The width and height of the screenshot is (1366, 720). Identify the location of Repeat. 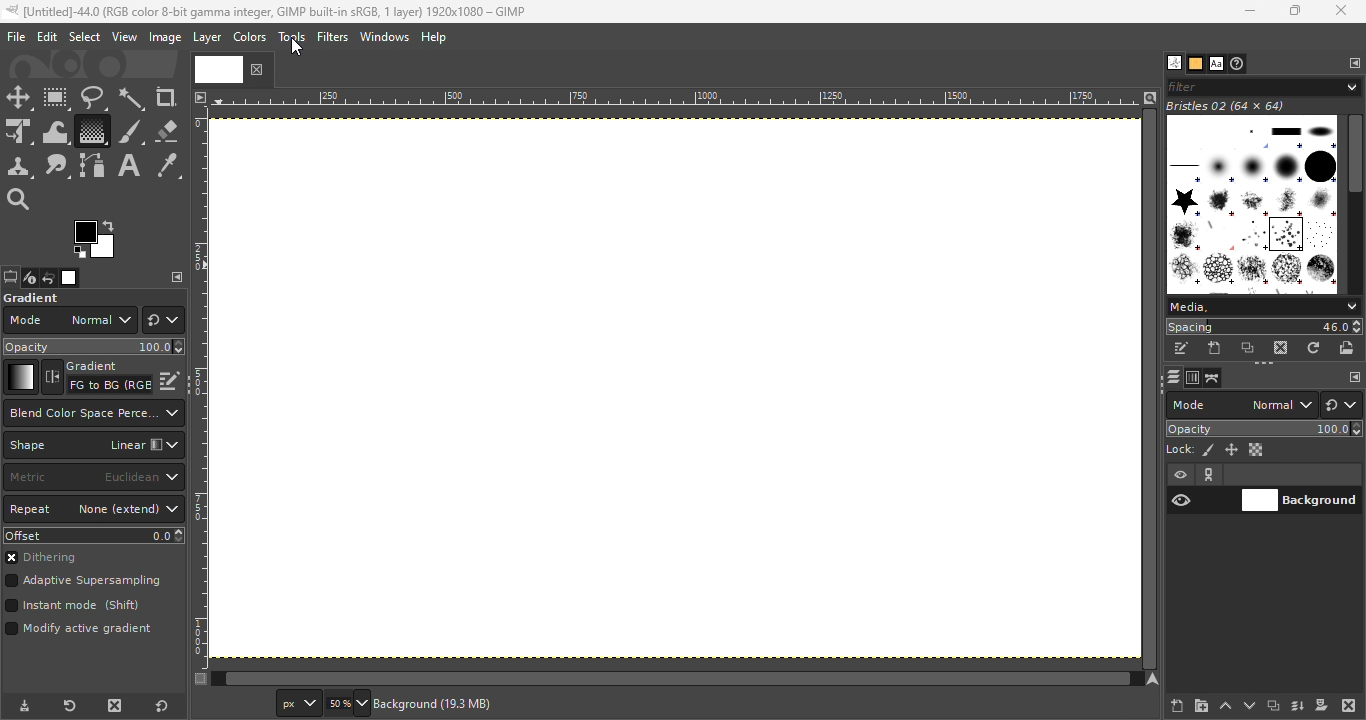
(94, 510).